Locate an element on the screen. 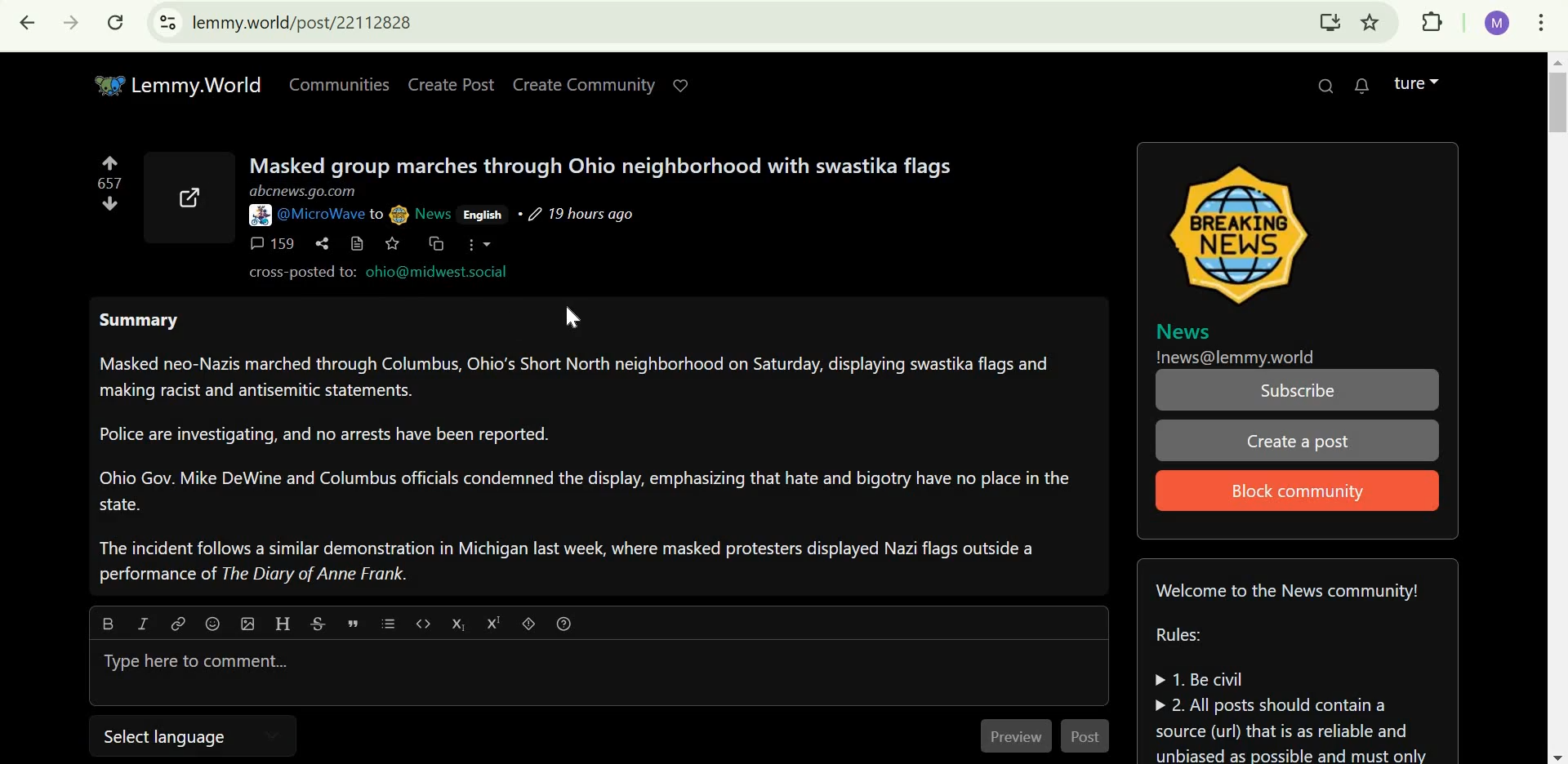  save is located at coordinates (394, 244).